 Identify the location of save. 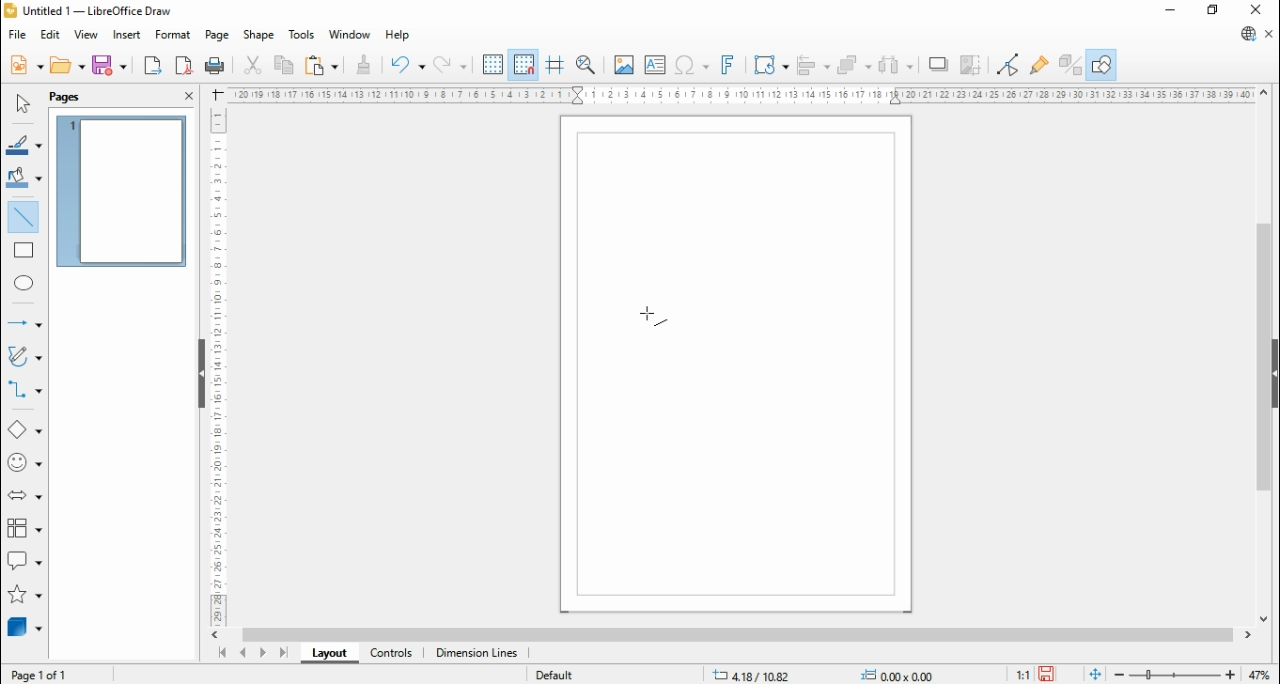
(1047, 674).